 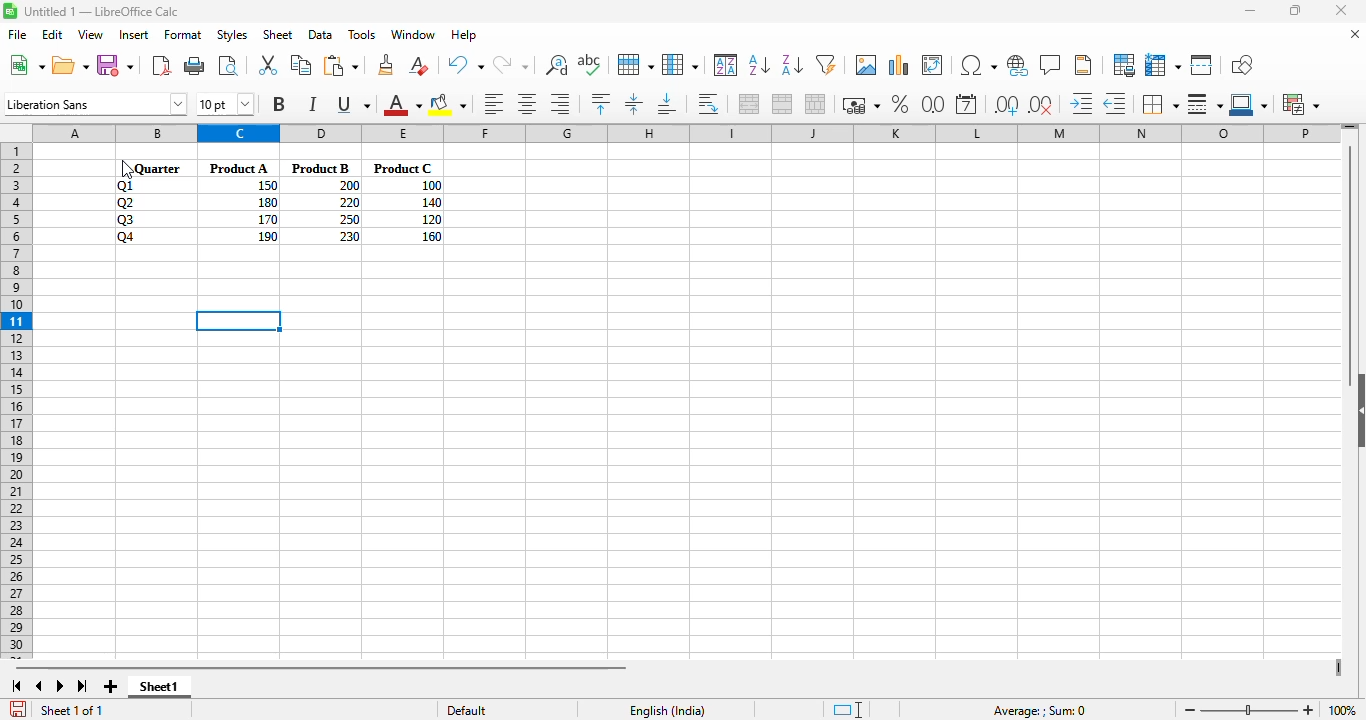 I want to click on font size, so click(x=224, y=104).